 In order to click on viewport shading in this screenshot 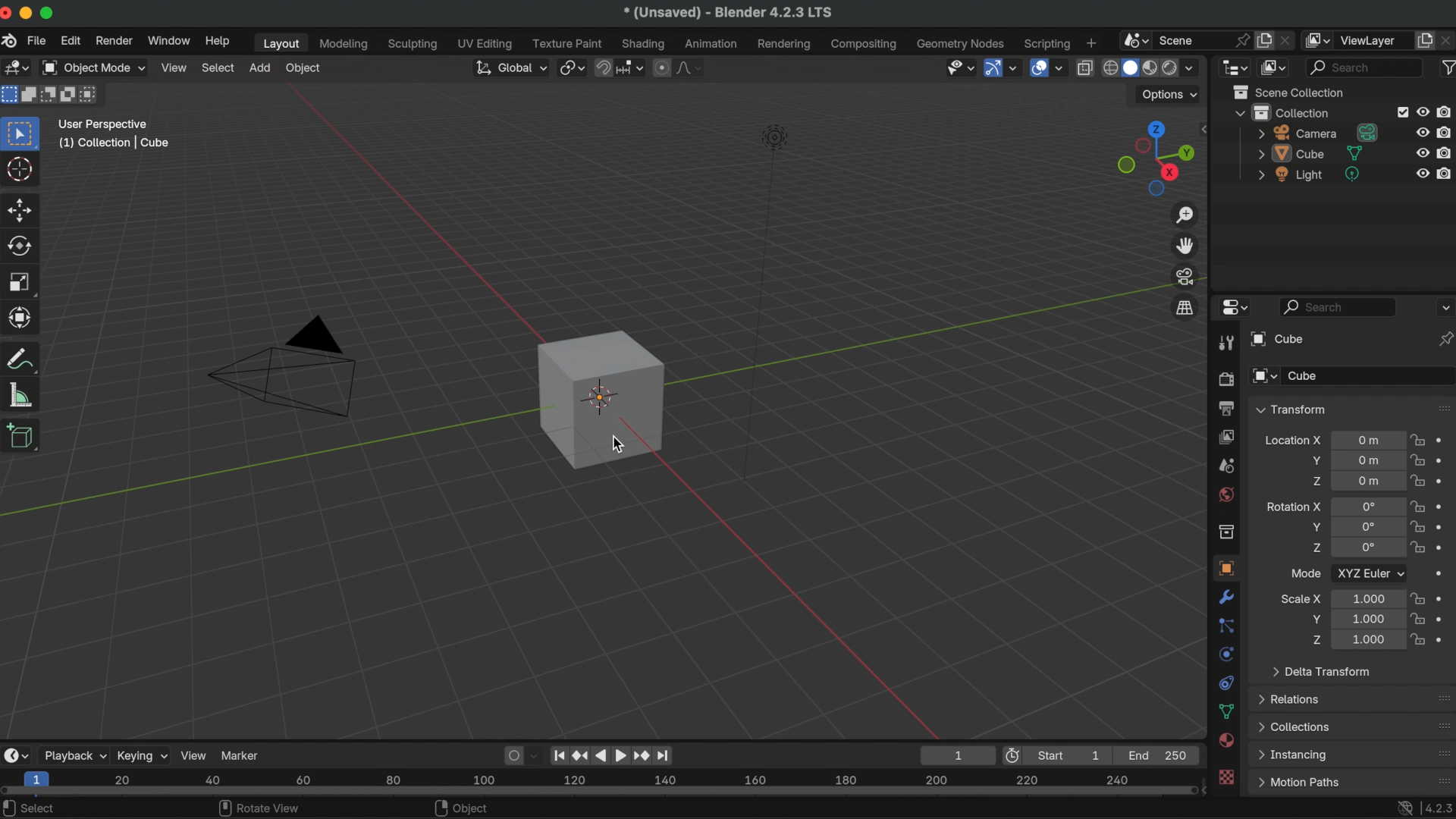, I will do `click(1169, 69)`.